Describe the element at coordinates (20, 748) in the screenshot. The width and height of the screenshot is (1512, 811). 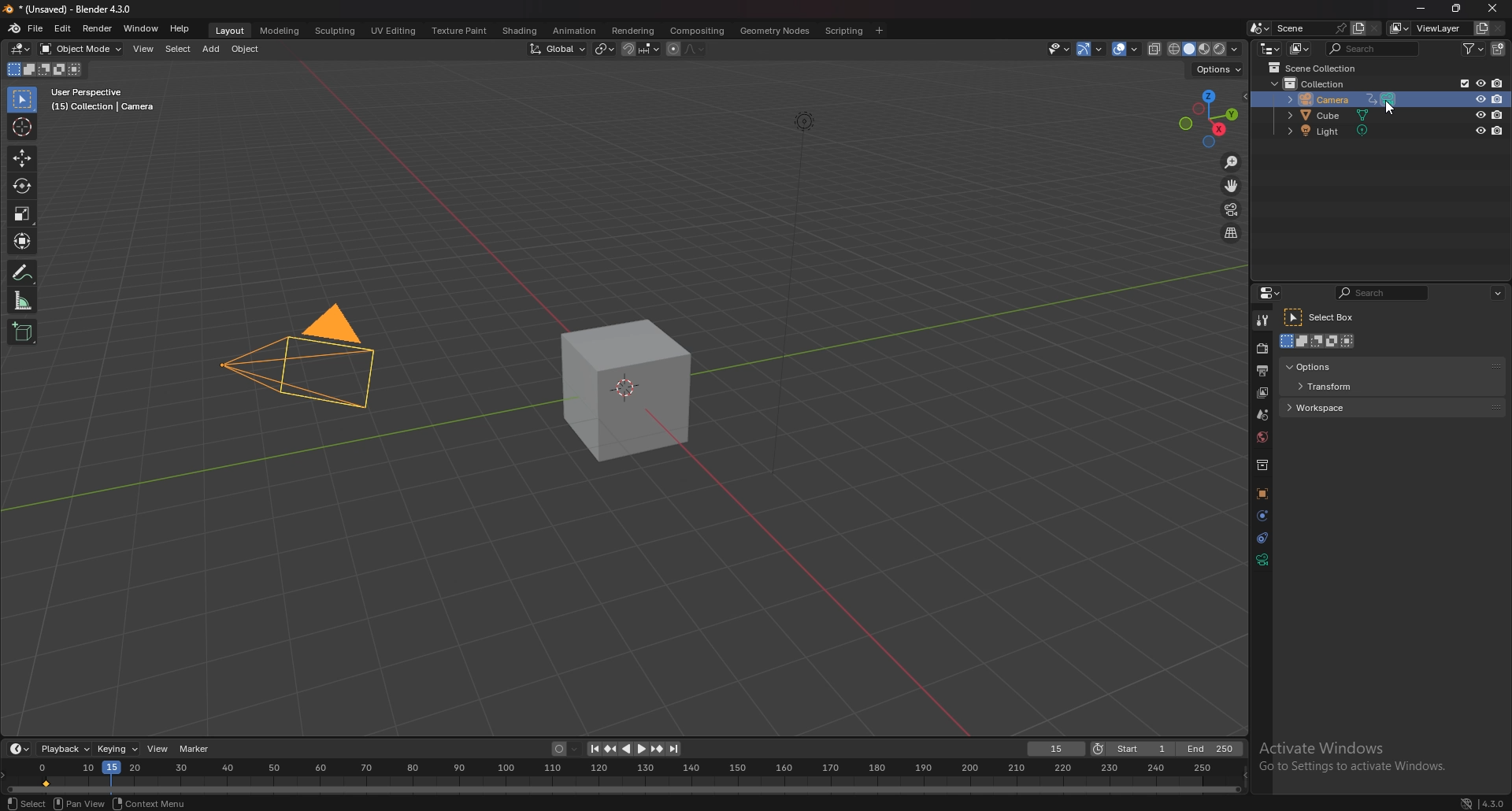
I see `editor type` at that location.